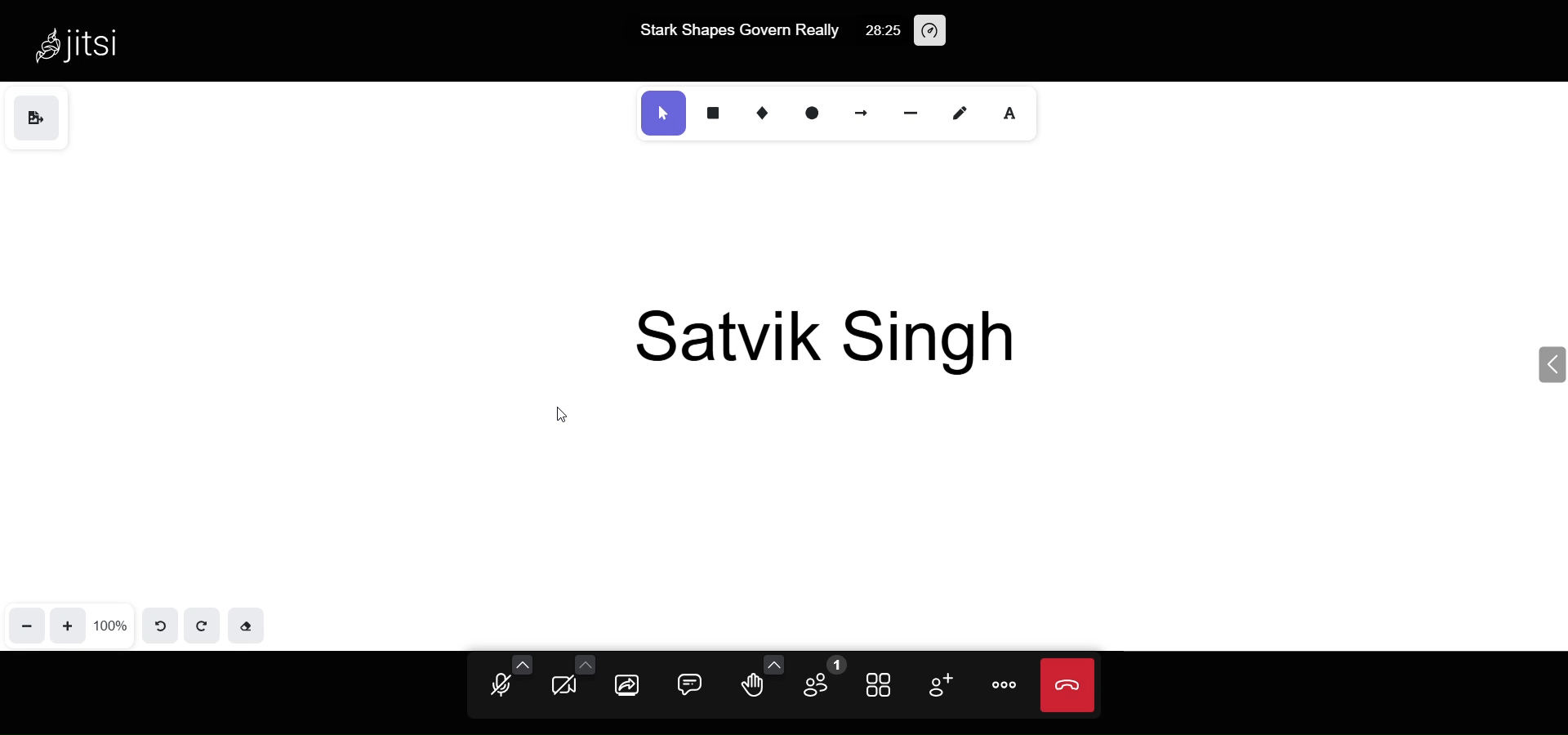 Image resolution: width=1568 pixels, height=735 pixels. I want to click on text, so click(1014, 111).